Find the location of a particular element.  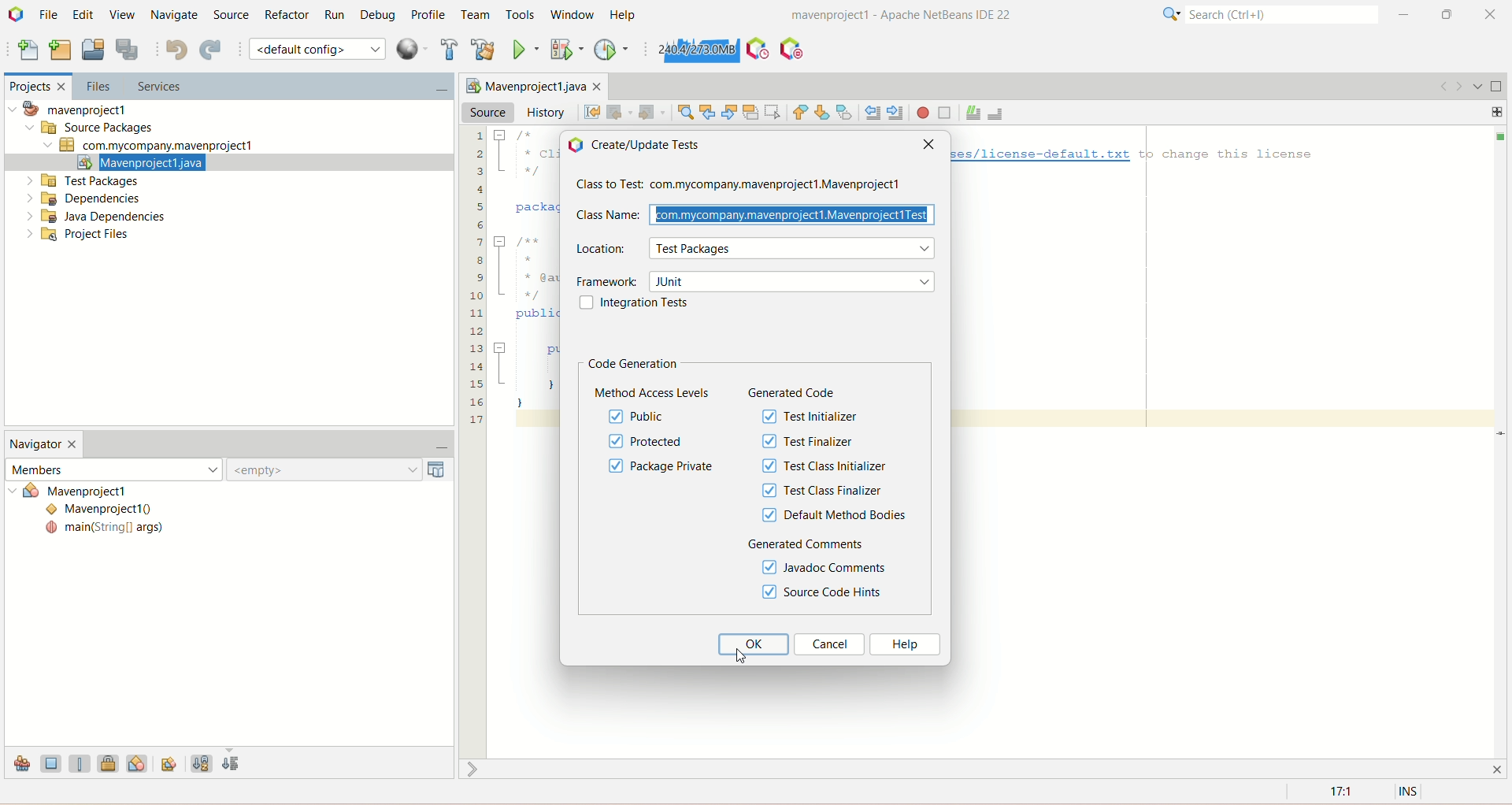

profile is located at coordinates (431, 14).